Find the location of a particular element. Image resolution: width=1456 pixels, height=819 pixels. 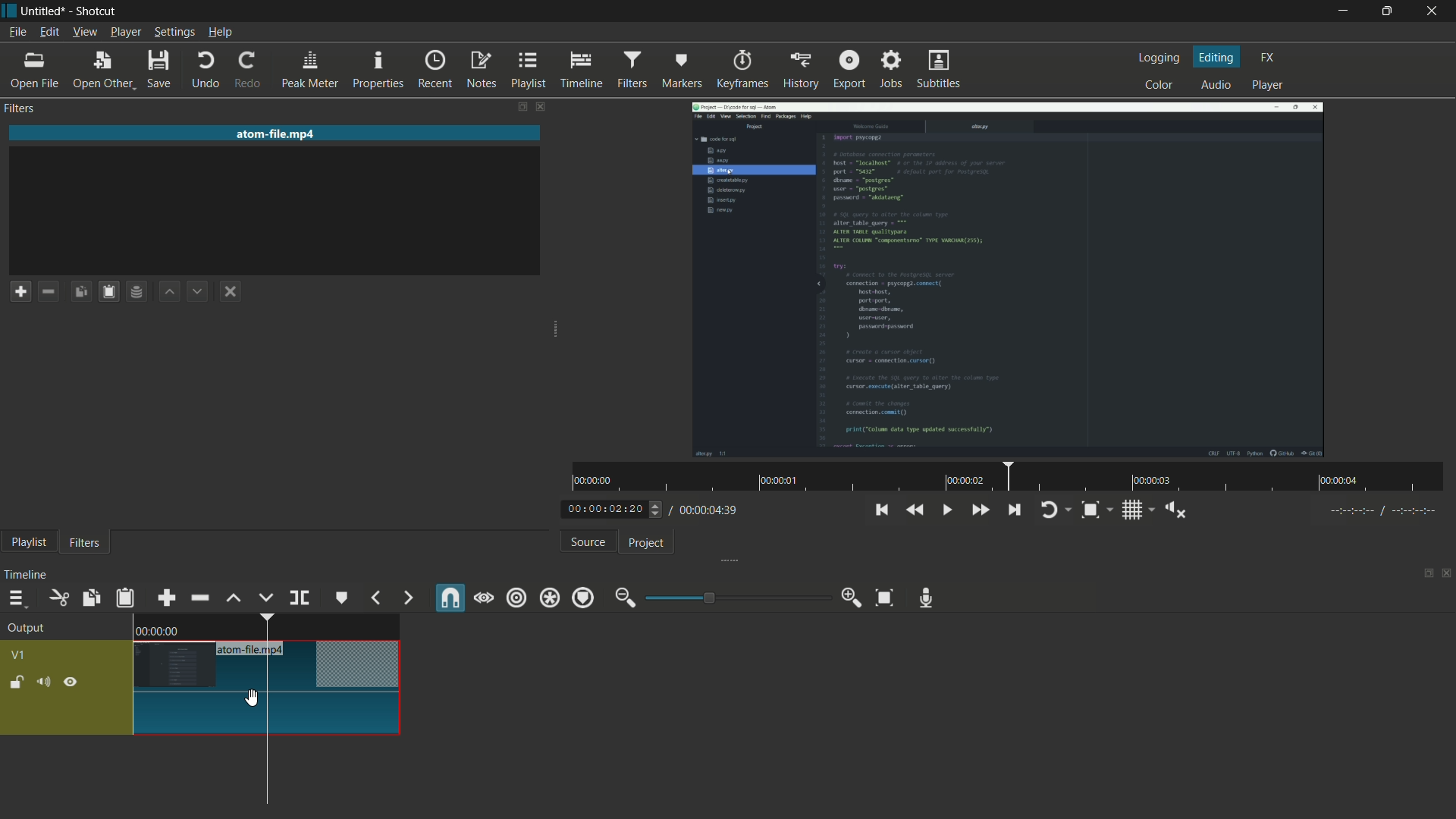

paste filters is located at coordinates (107, 293).